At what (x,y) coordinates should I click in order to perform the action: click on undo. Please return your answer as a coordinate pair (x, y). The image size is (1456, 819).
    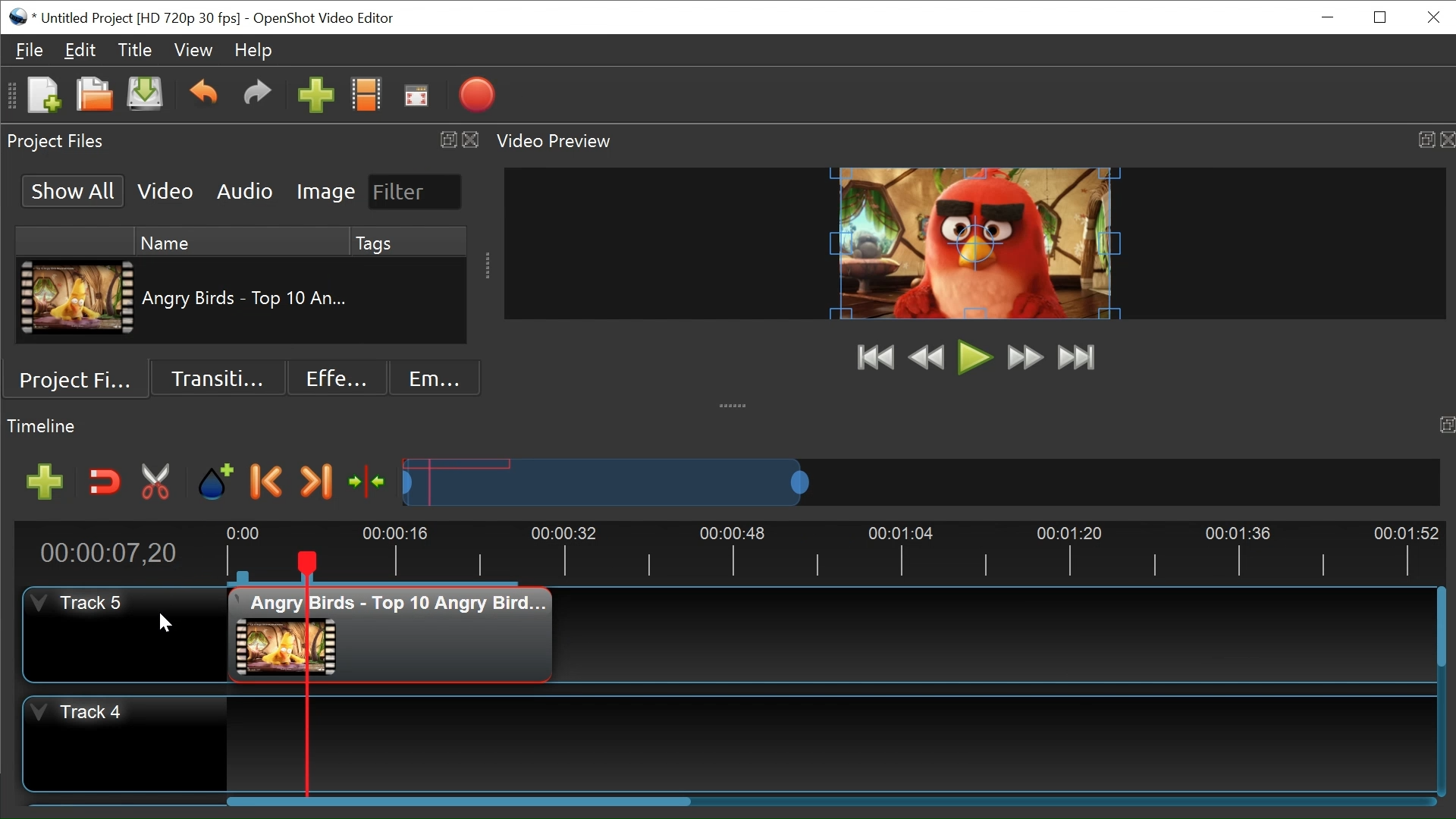
    Looking at the image, I should click on (206, 96).